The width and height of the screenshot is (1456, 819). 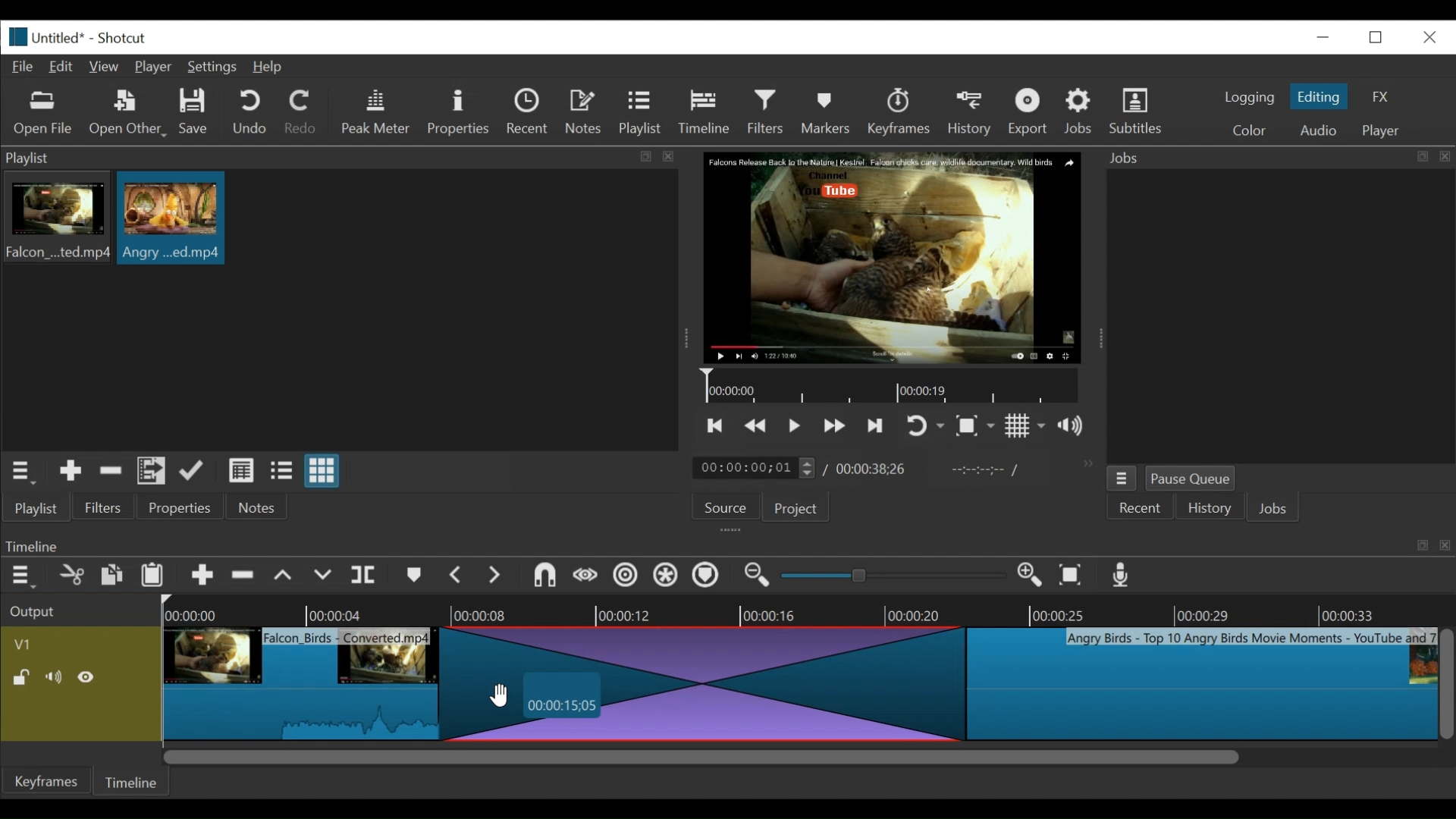 I want to click on properties, so click(x=181, y=508).